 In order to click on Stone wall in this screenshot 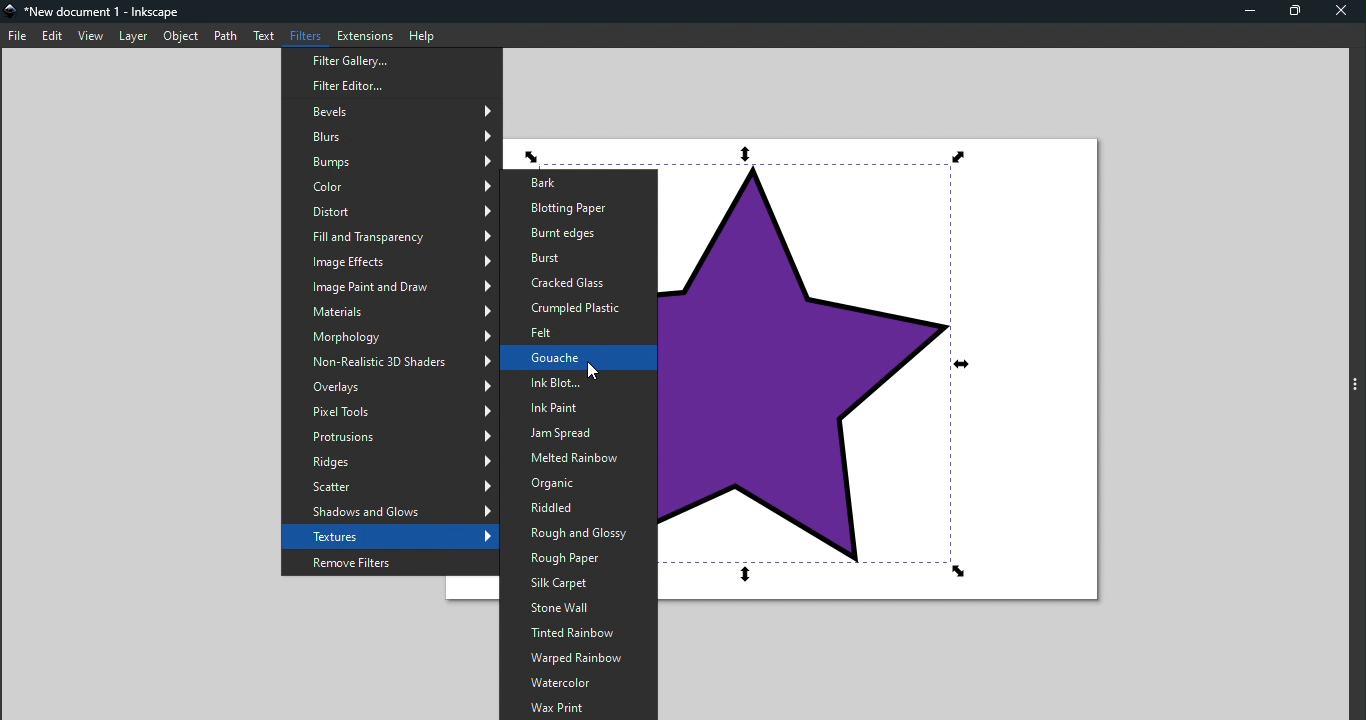, I will do `click(575, 608)`.